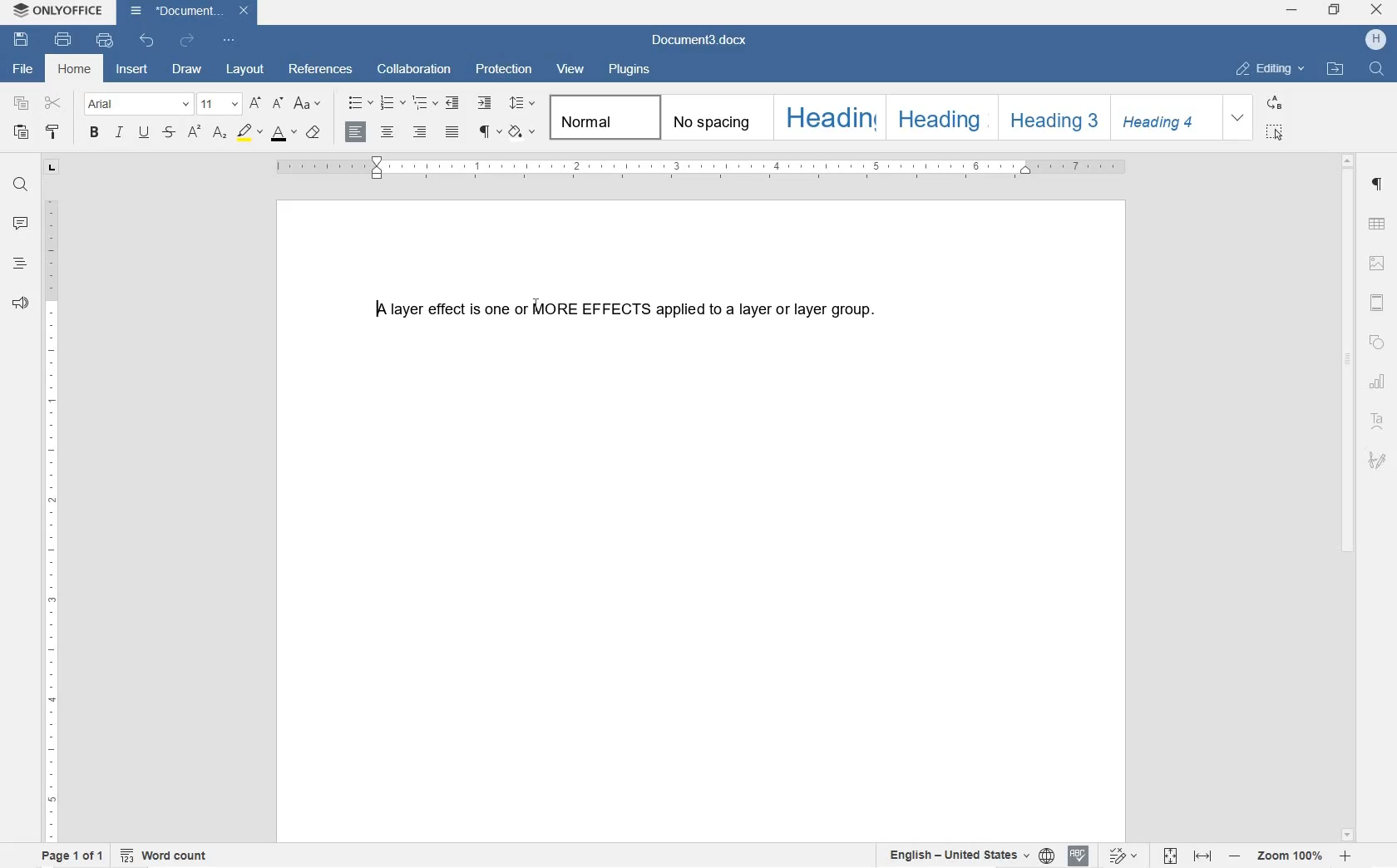 The height and width of the screenshot is (868, 1397). What do you see at coordinates (1348, 497) in the screenshot?
I see `SCROLLBAR` at bounding box center [1348, 497].